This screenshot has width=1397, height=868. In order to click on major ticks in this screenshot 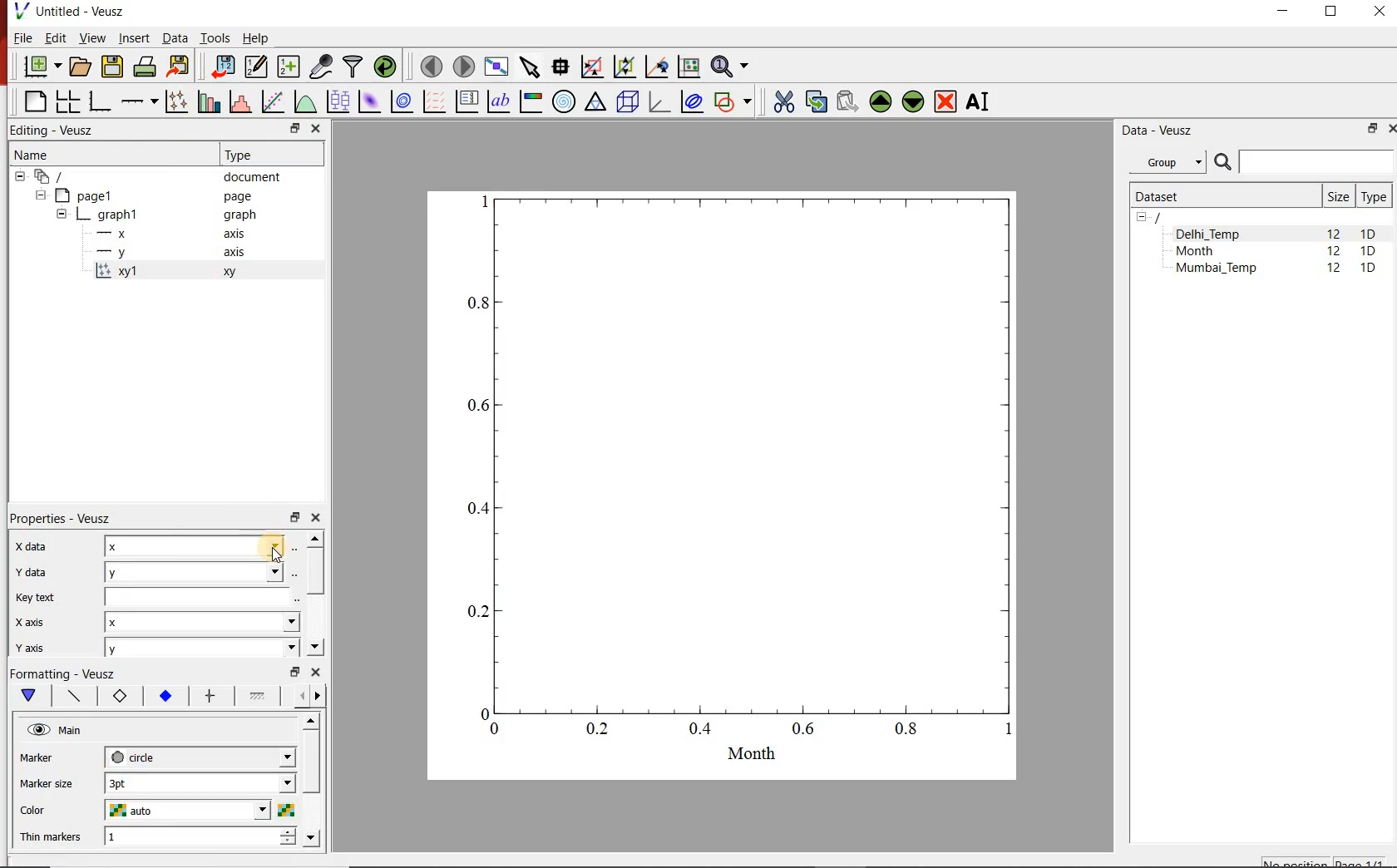, I will do `click(209, 696)`.